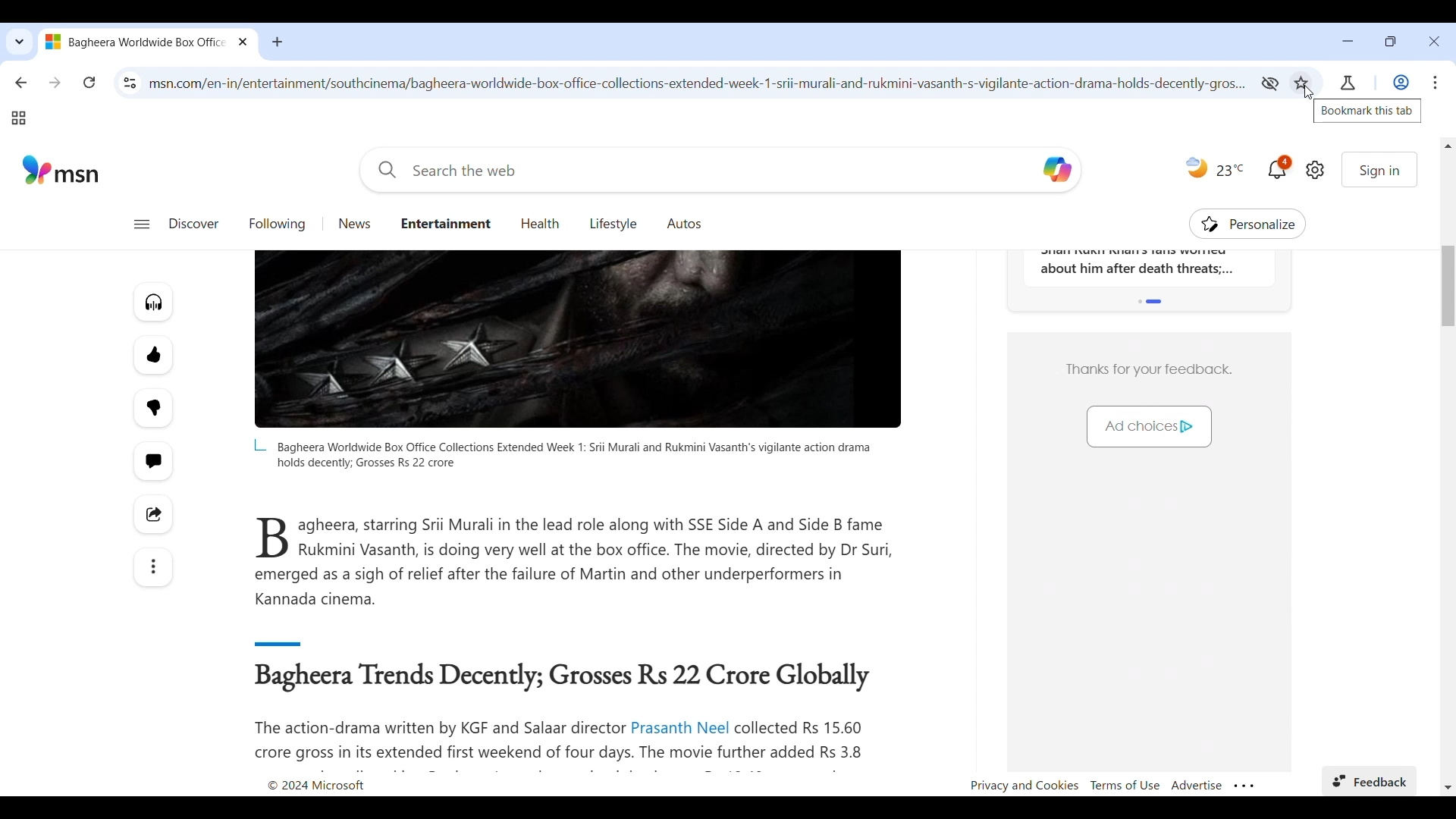 The image size is (1456, 819). Describe the element at coordinates (153, 355) in the screenshot. I see `More like this article` at that location.